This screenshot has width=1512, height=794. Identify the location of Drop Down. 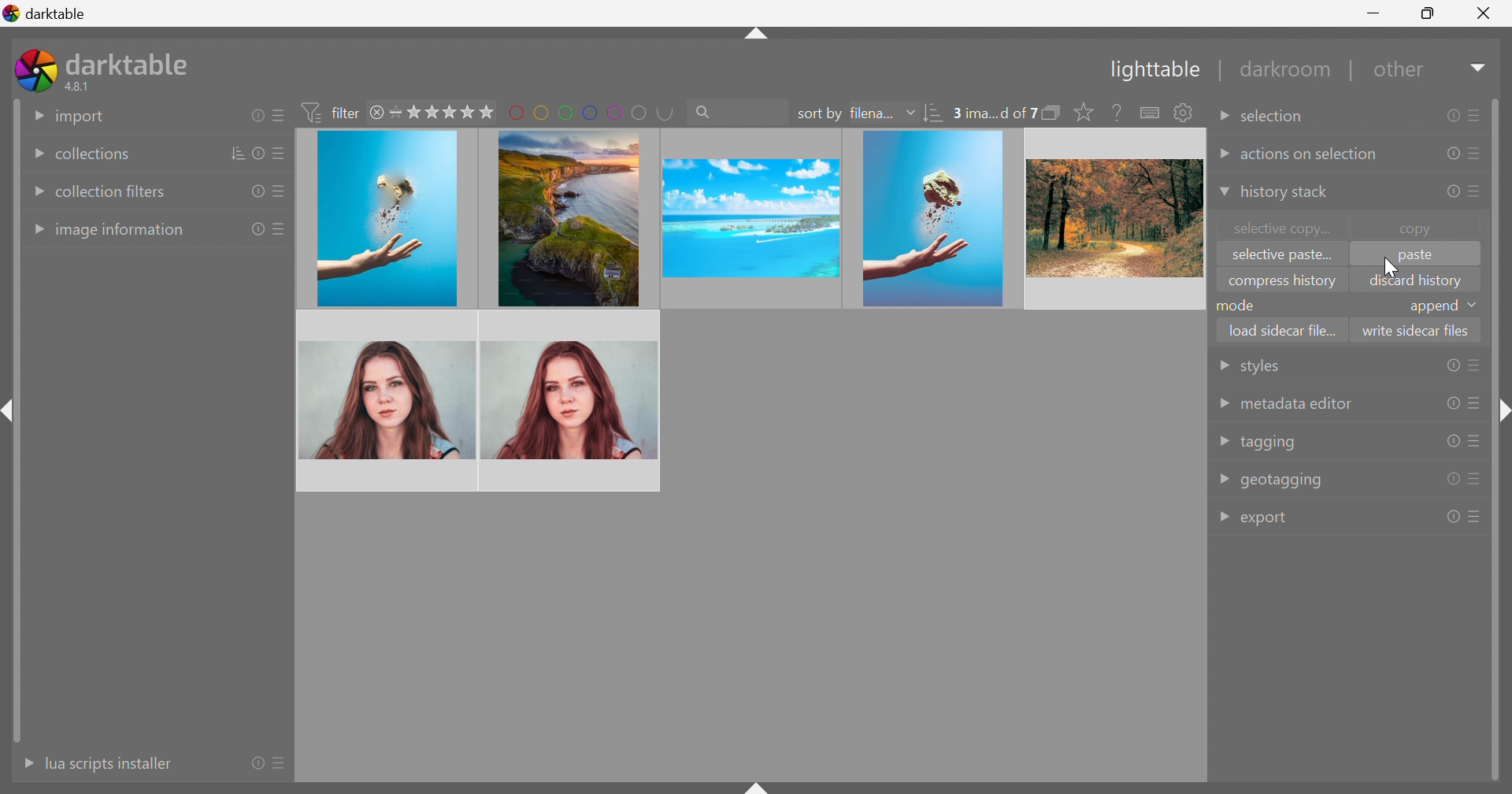
(35, 114).